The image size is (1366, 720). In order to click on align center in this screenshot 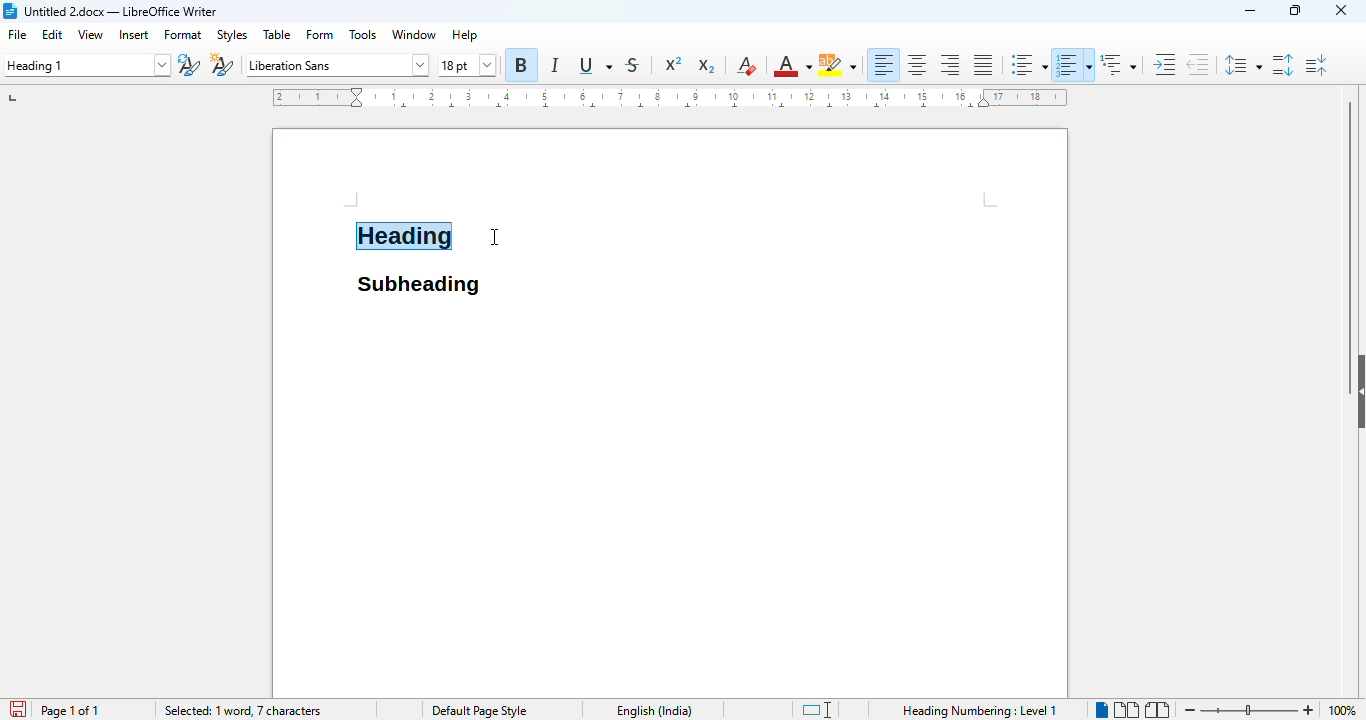, I will do `click(917, 64)`.